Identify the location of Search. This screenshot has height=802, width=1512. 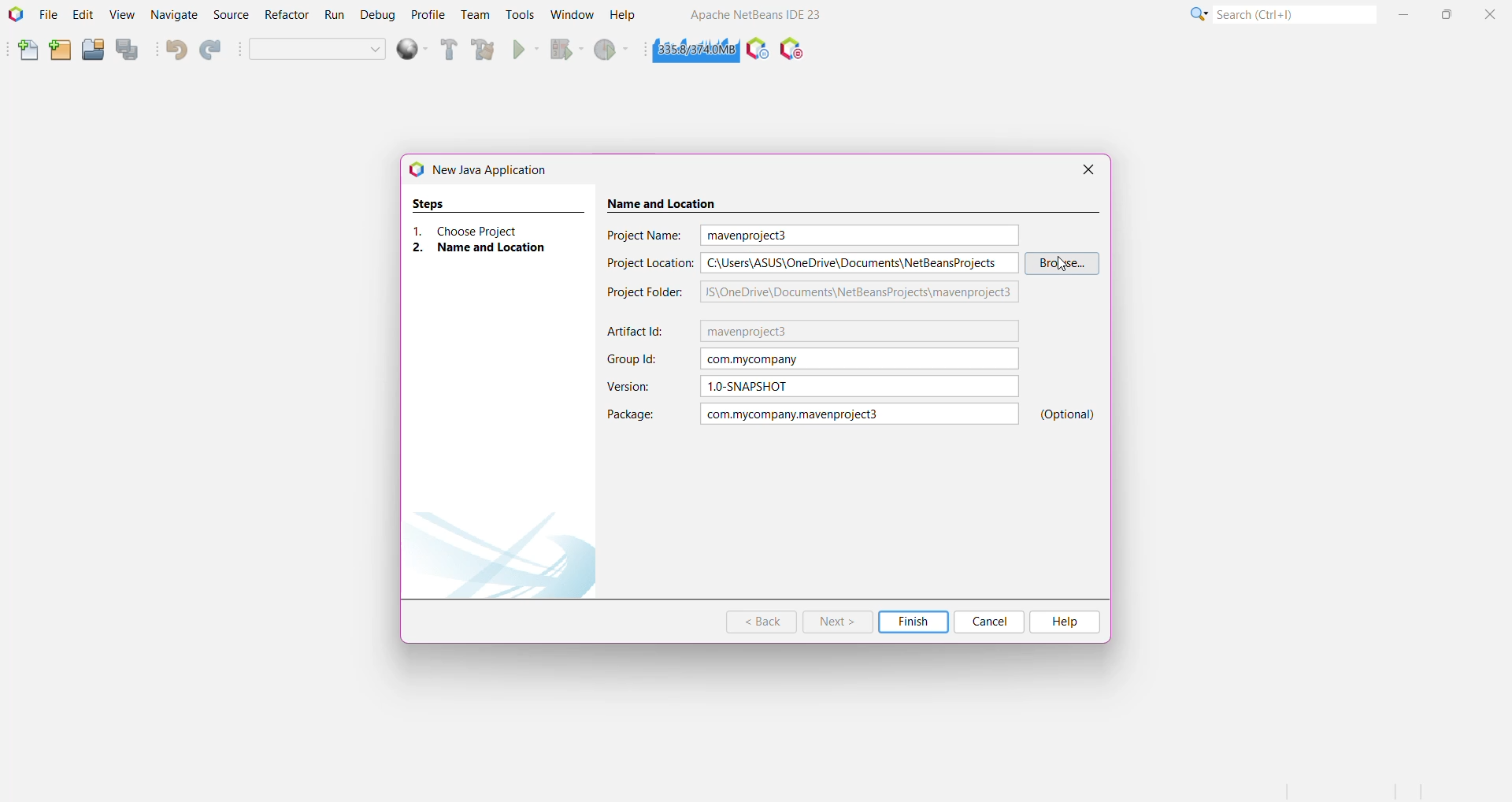
(1295, 17).